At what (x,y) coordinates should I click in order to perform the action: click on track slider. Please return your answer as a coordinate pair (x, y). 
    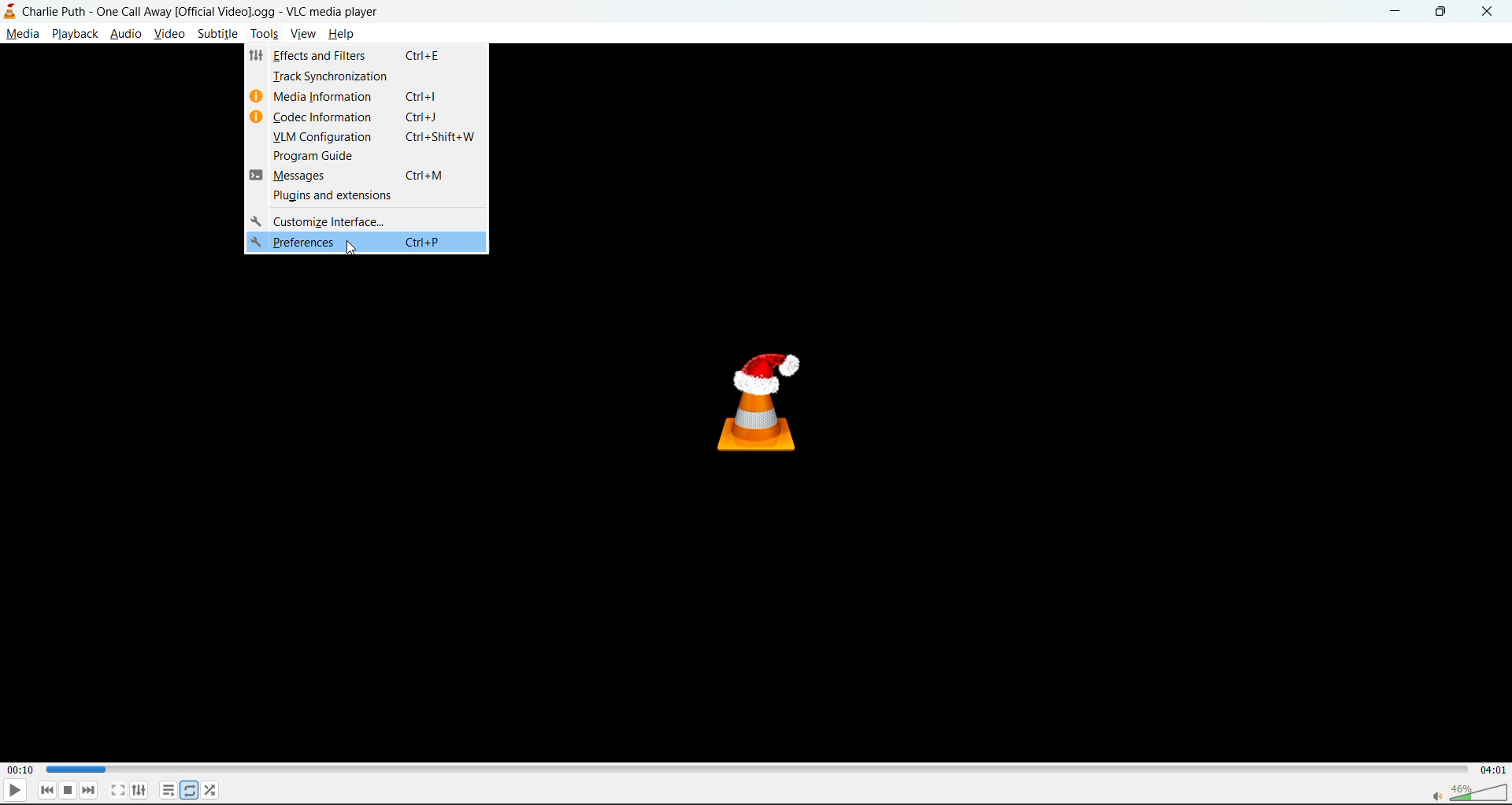
    Looking at the image, I should click on (750, 770).